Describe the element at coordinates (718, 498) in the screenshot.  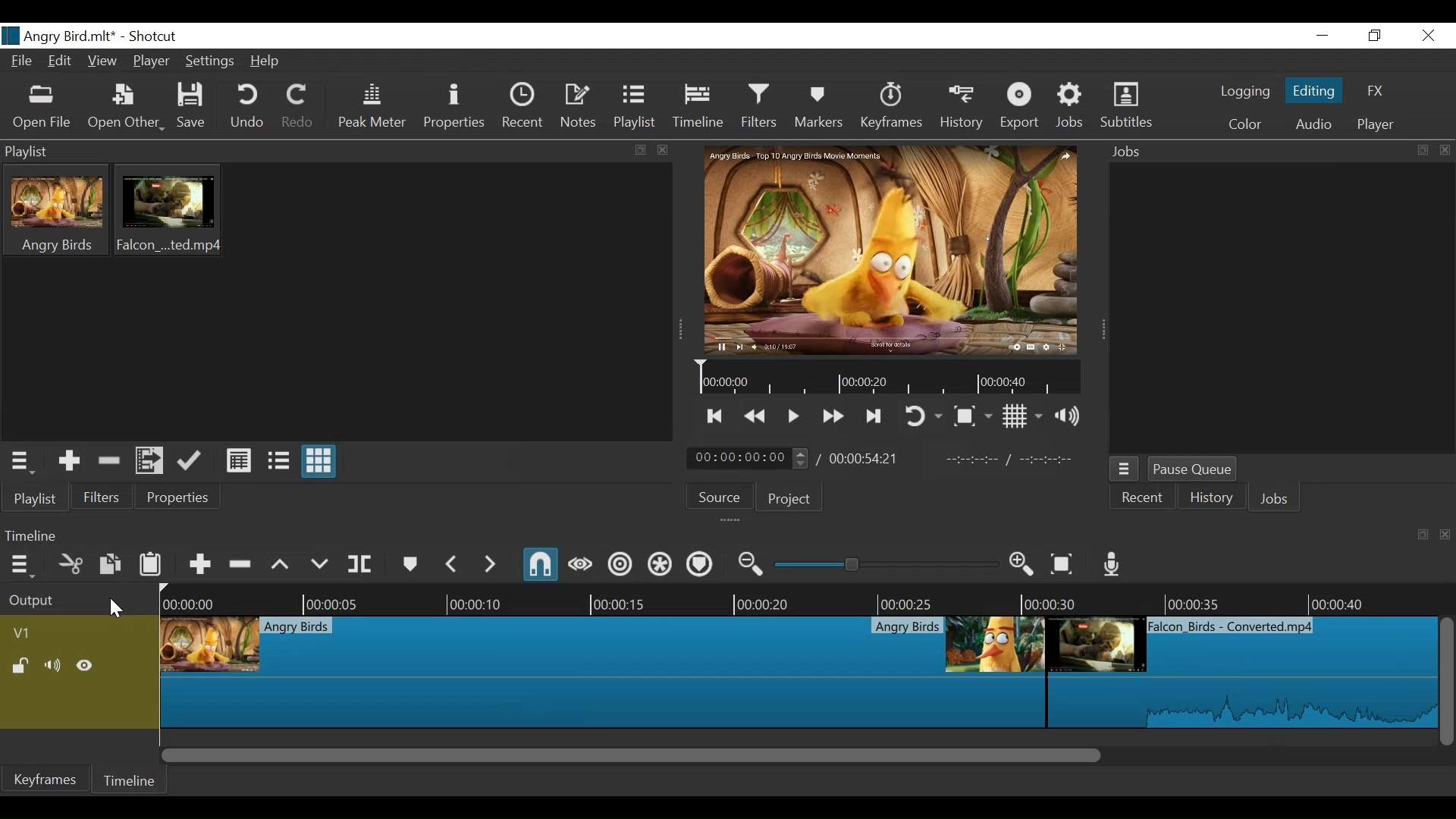
I see `Source` at that location.